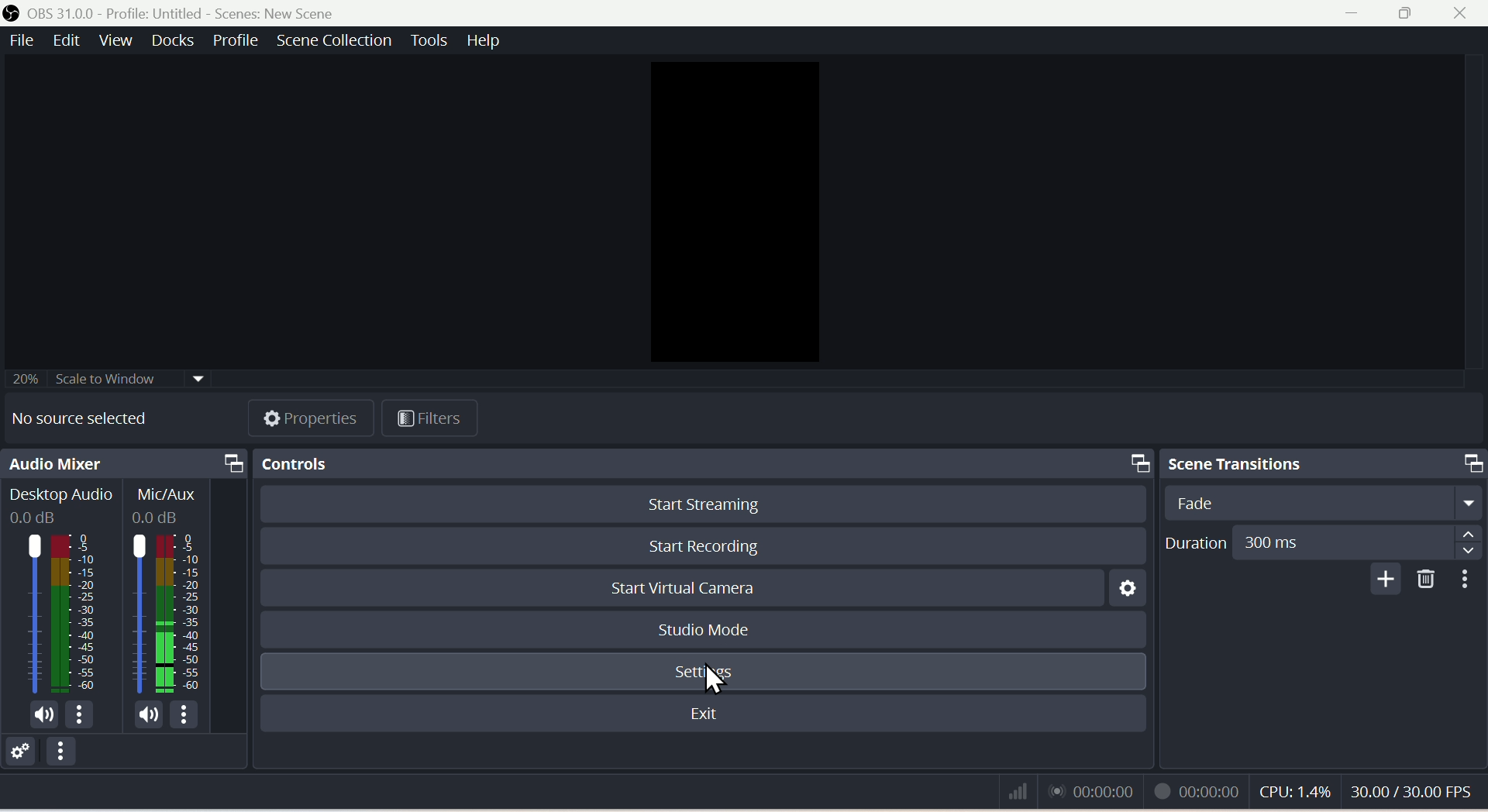 The image size is (1488, 812). I want to click on Settings, so click(1125, 587).